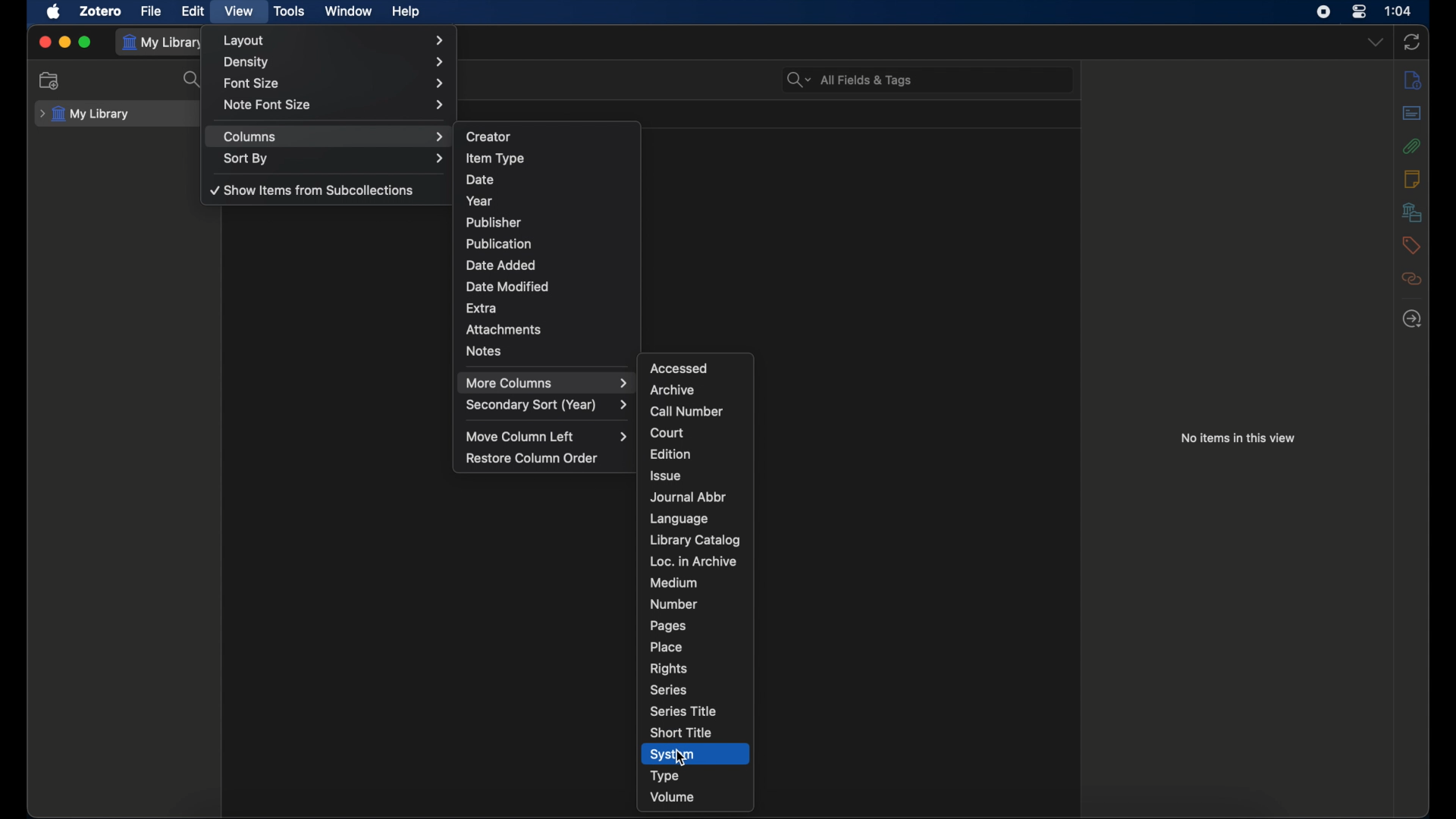  I want to click on archive, so click(673, 391).